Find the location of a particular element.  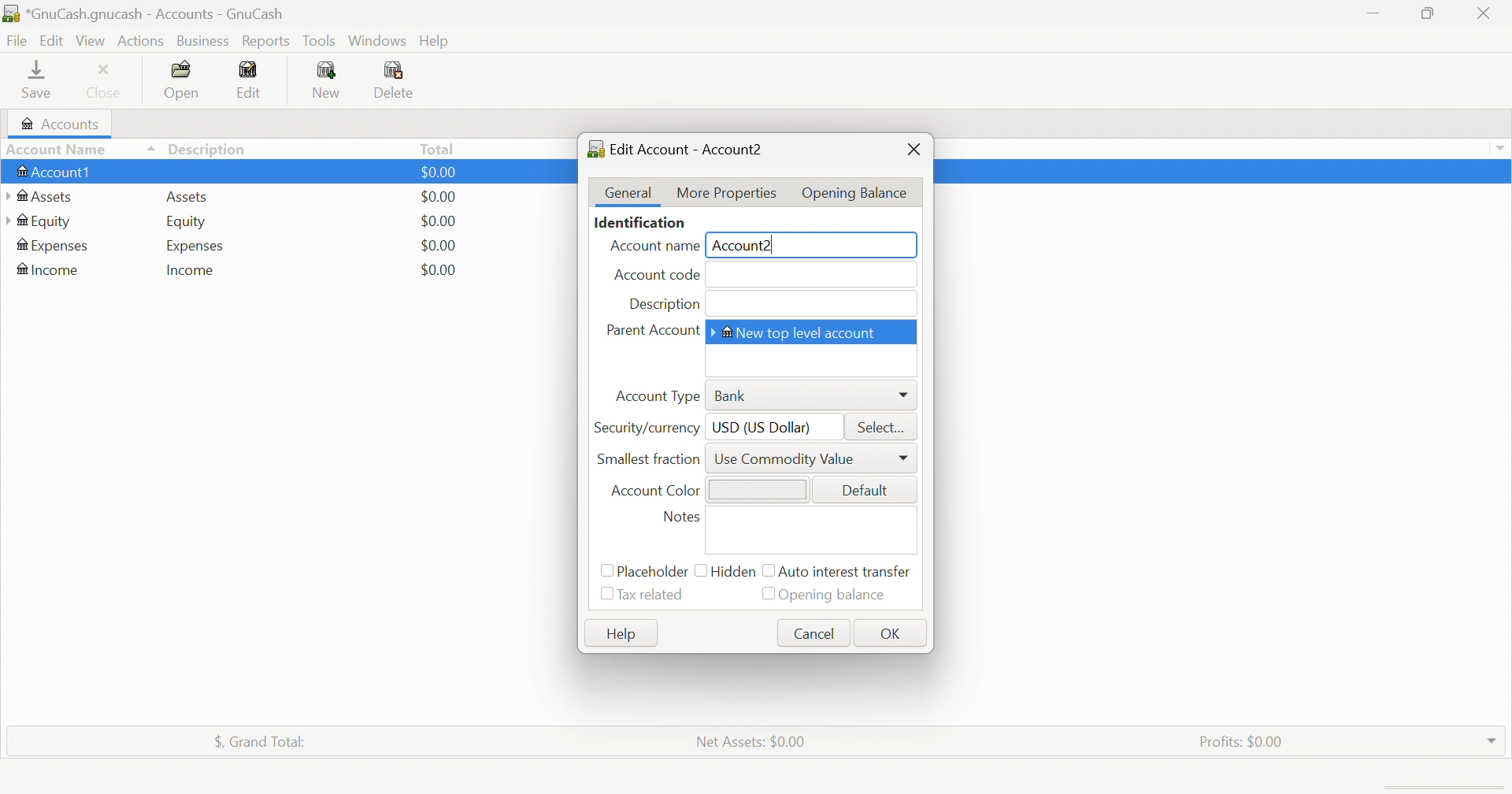

Description is located at coordinates (665, 305).